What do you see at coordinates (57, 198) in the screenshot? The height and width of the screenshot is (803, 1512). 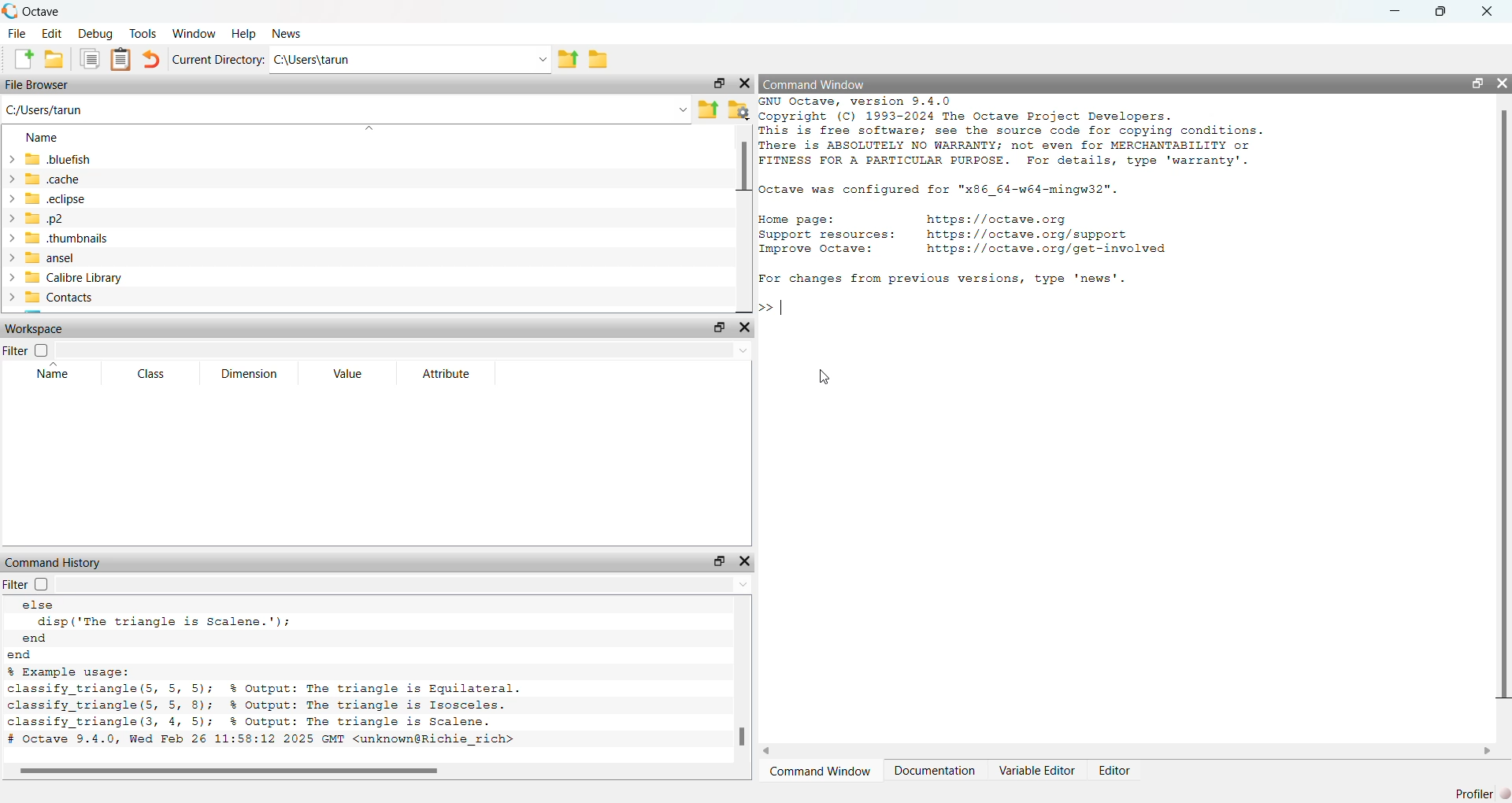 I see `.eclipse` at bounding box center [57, 198].